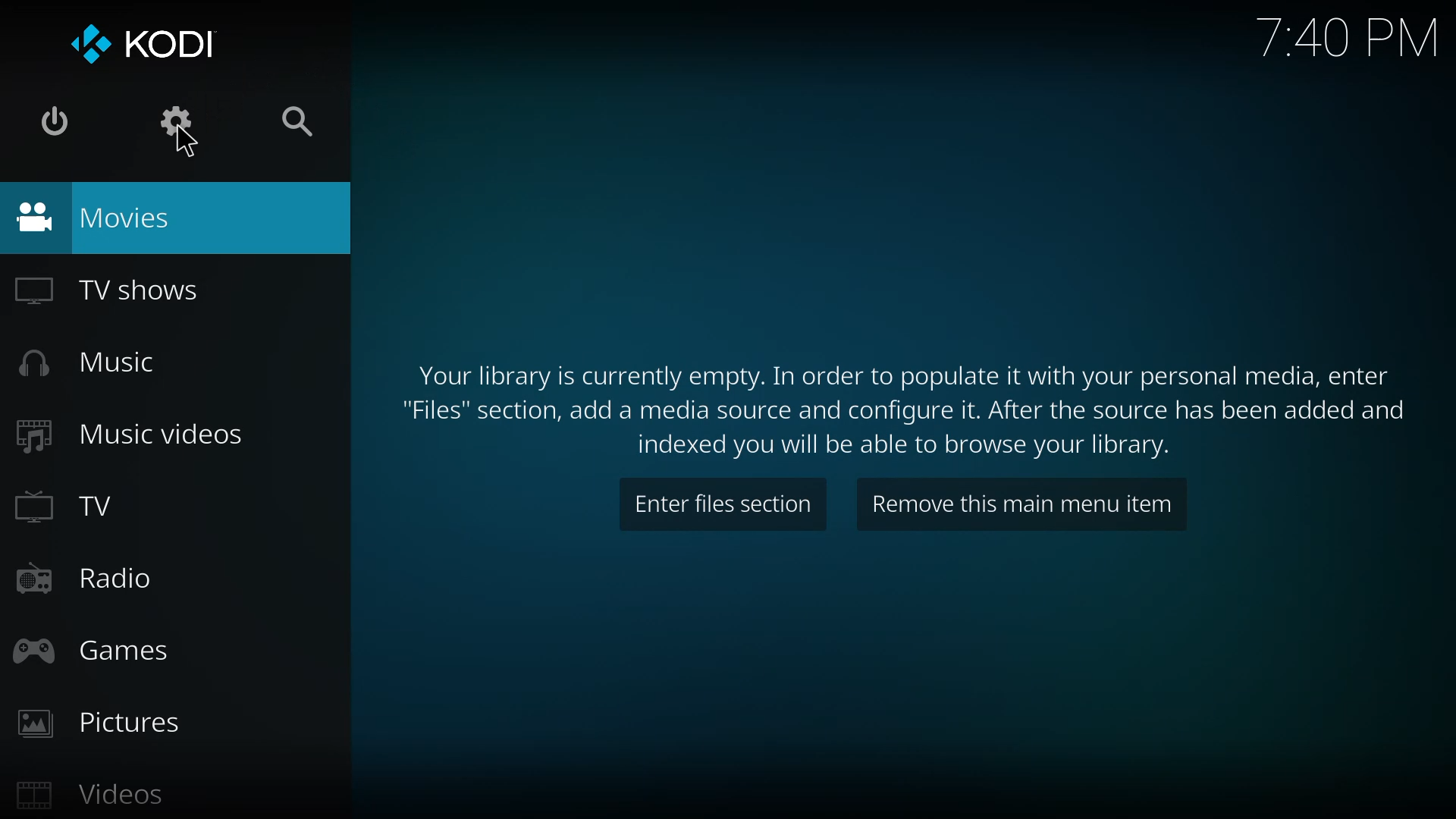 The height and width of the screenshot is (819, 1456). I want to click on settings, so click(174, 122).